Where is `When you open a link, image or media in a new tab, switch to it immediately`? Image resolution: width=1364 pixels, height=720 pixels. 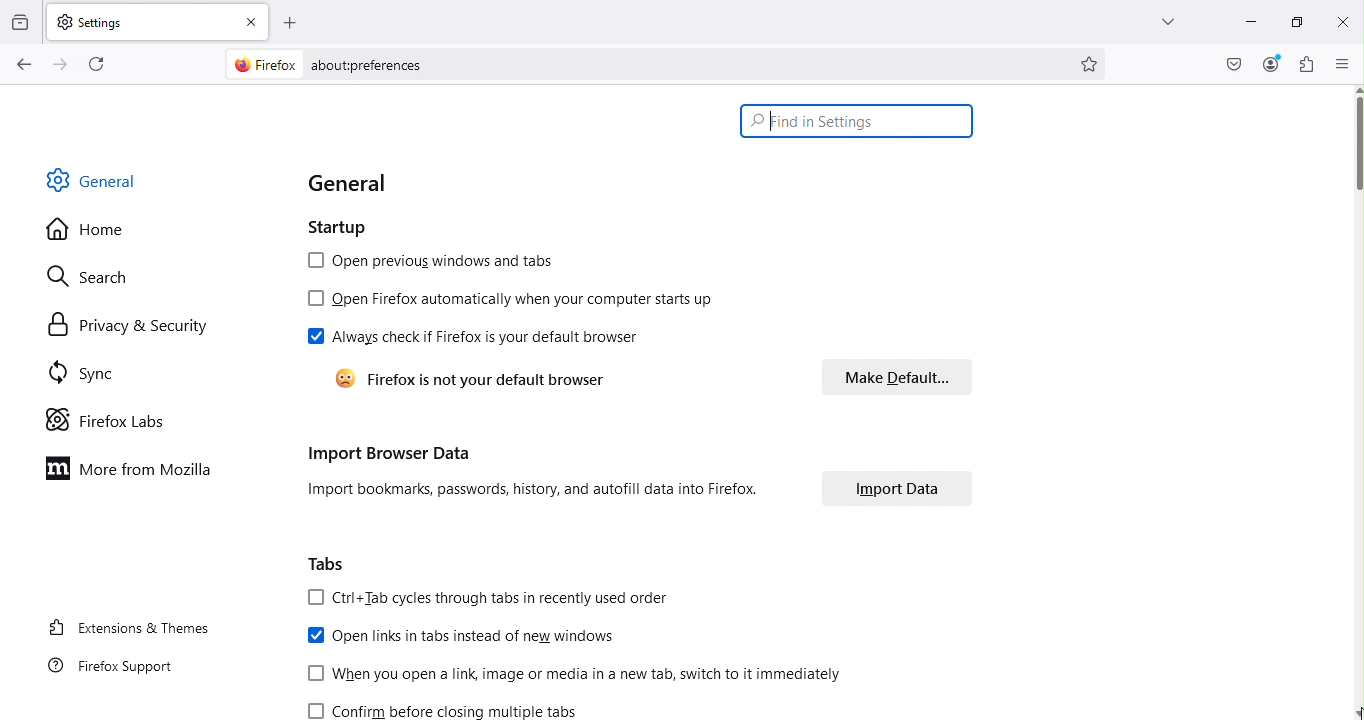
When you open a link, image or media in a new tab, switch to it immediately is located at coordinates (576, 676).